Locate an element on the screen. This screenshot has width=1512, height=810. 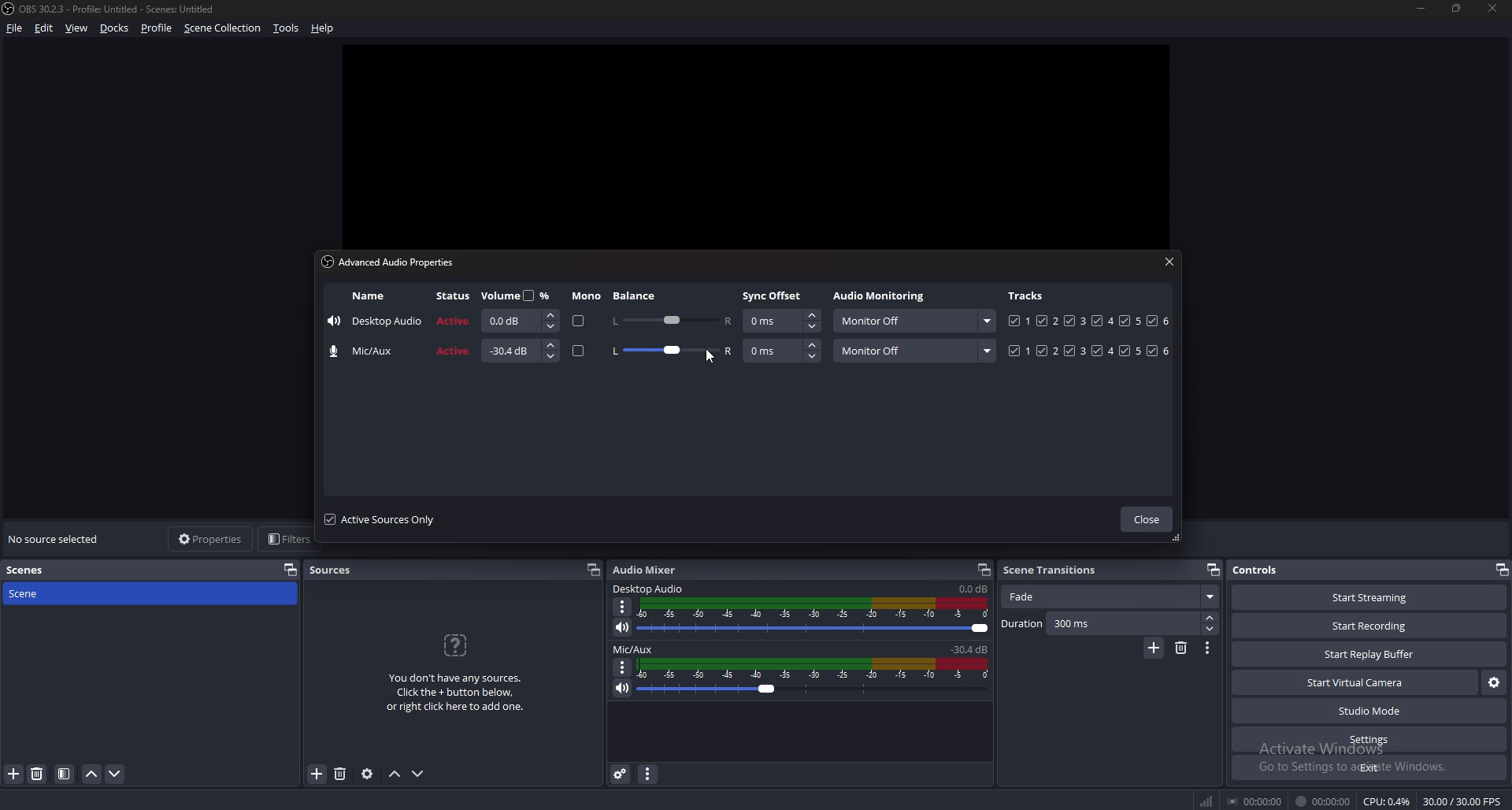
pop out is located at coordinates (595, 570).